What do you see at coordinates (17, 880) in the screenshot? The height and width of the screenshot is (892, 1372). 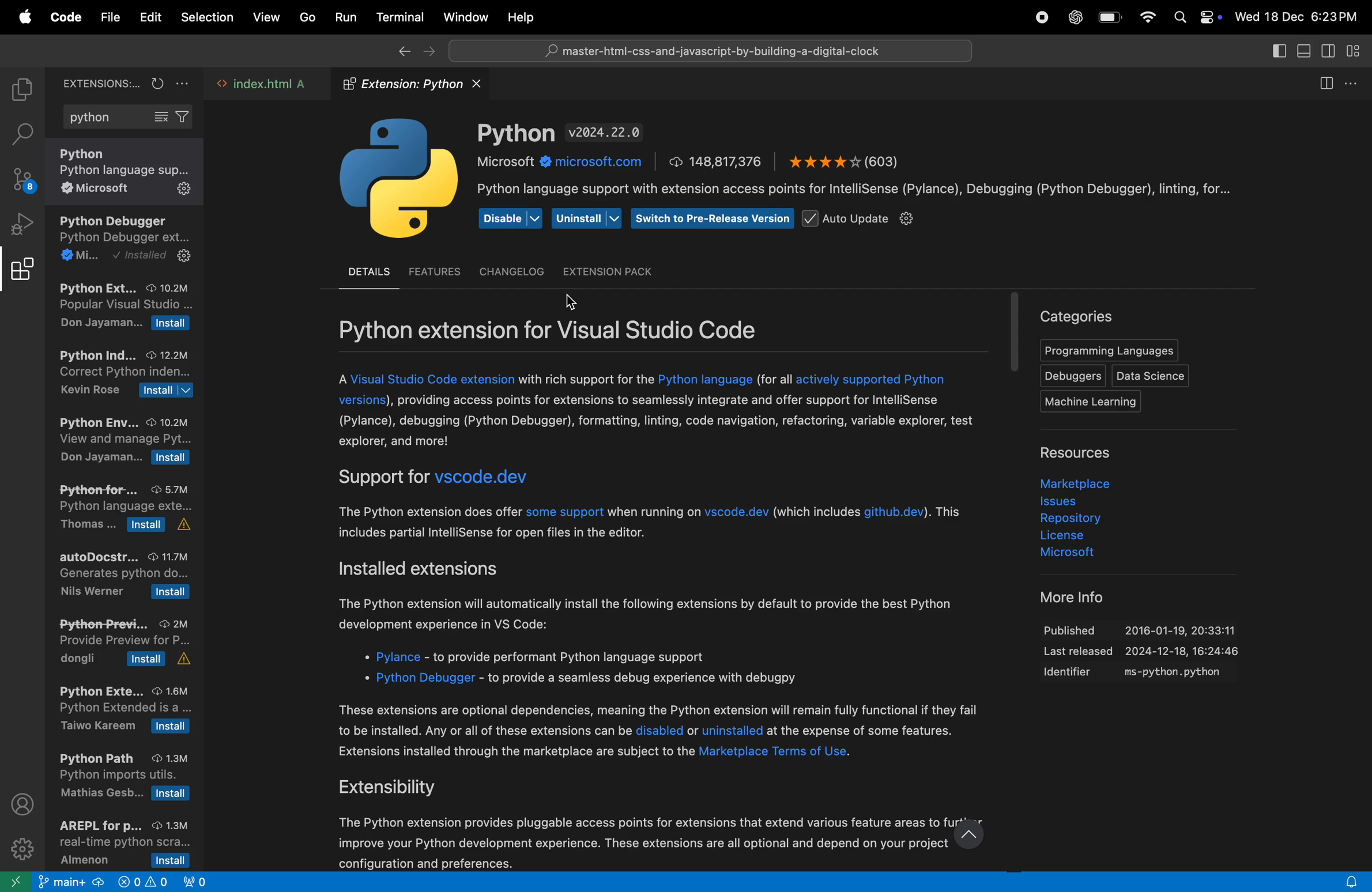 I see `open new window` at bounding box center [17, 880].